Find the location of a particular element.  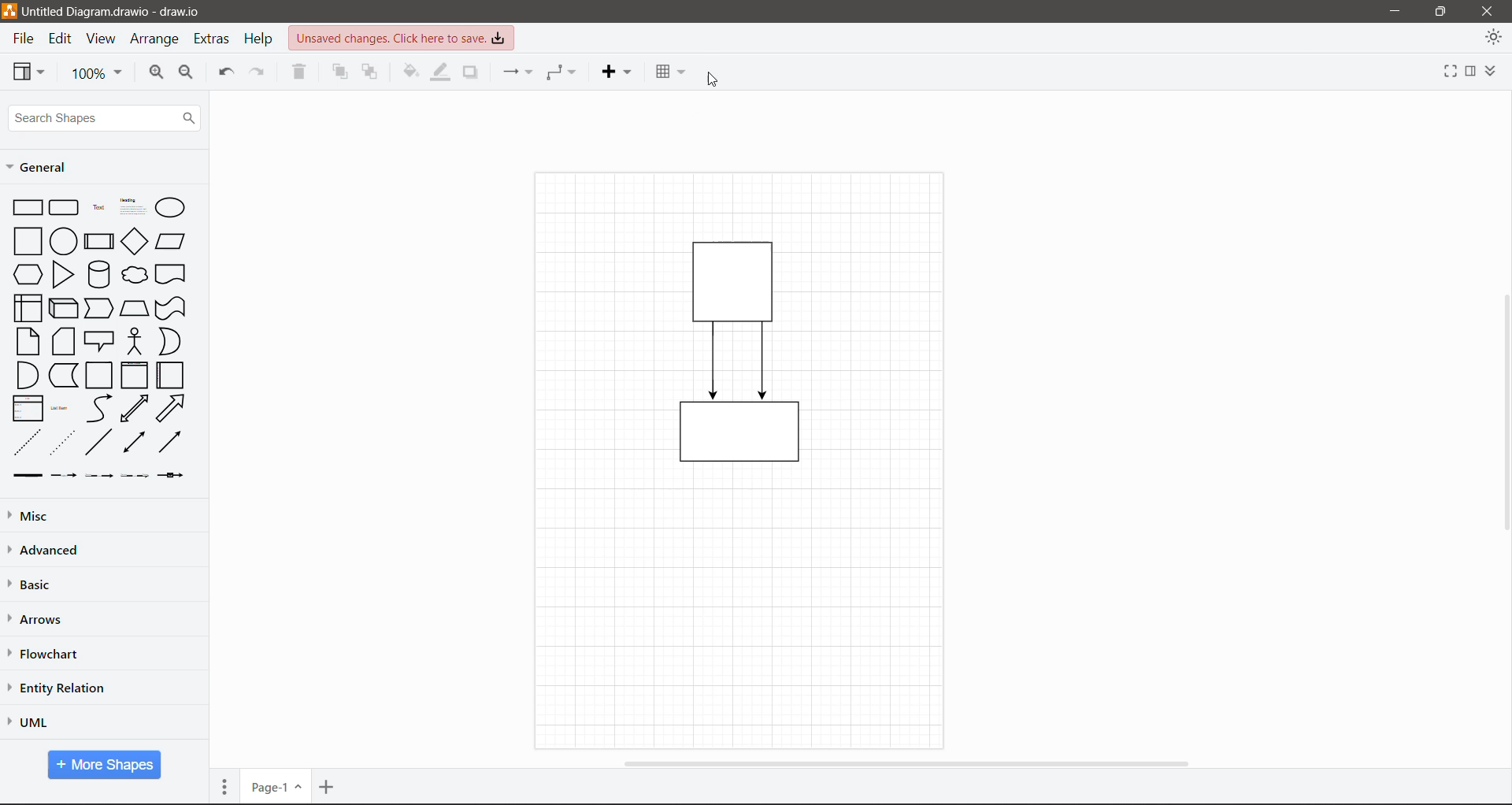

container is located at coordinates (740, 437).